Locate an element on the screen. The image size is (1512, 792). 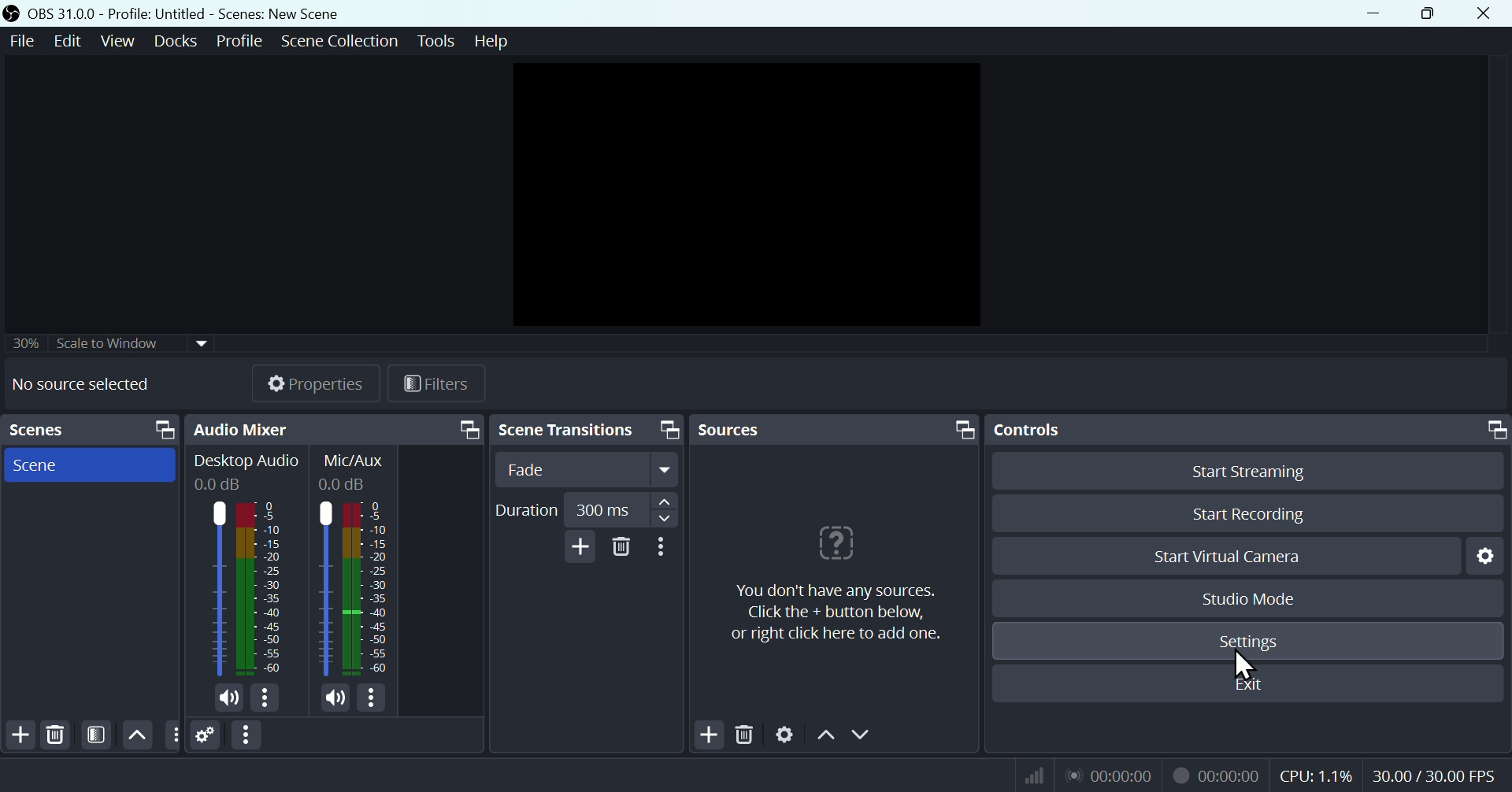
Docks is located at coordinates (178, 39).